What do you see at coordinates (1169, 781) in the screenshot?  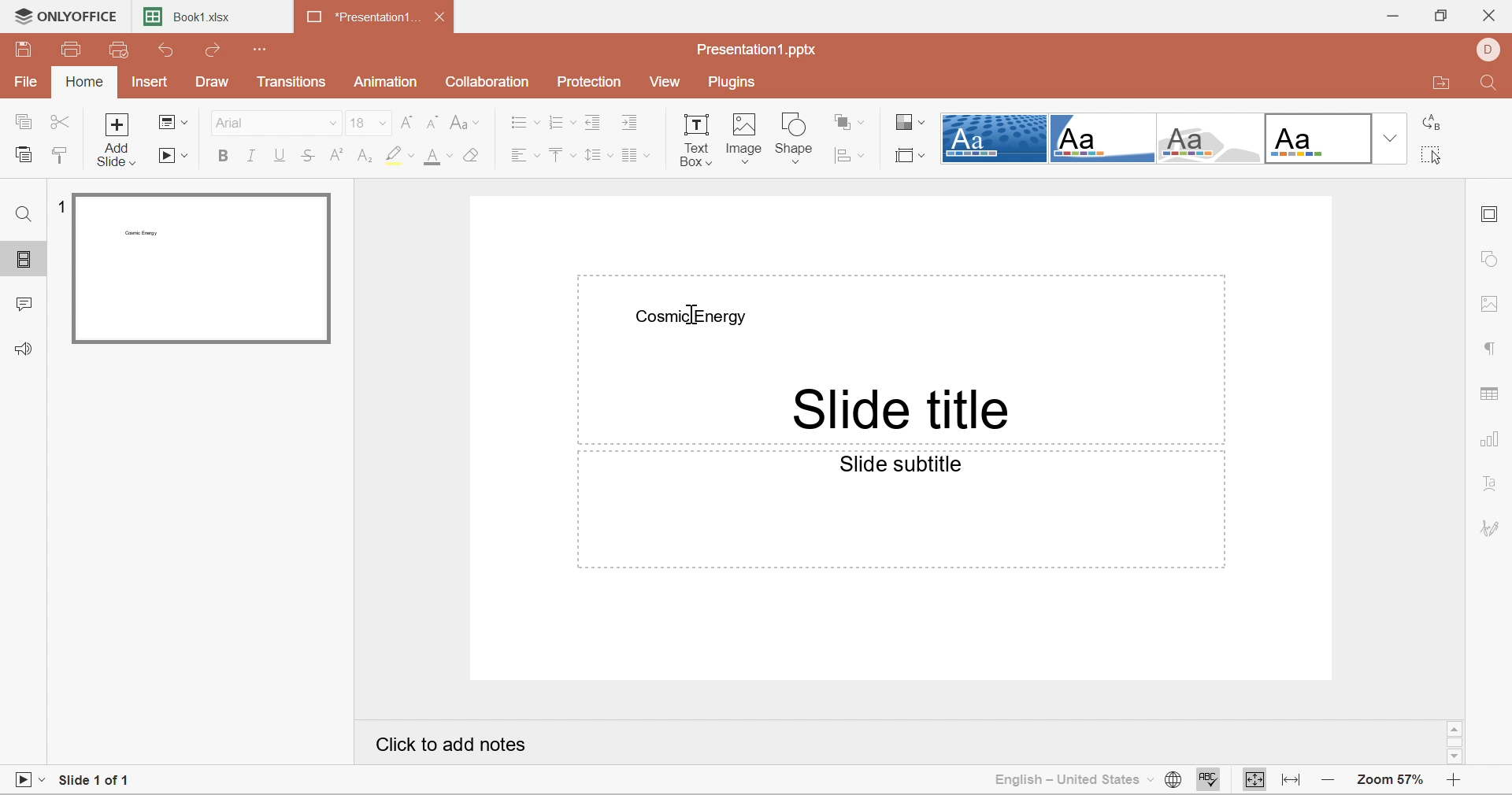 I see `Set document language` at bounding box center [1169, 781].